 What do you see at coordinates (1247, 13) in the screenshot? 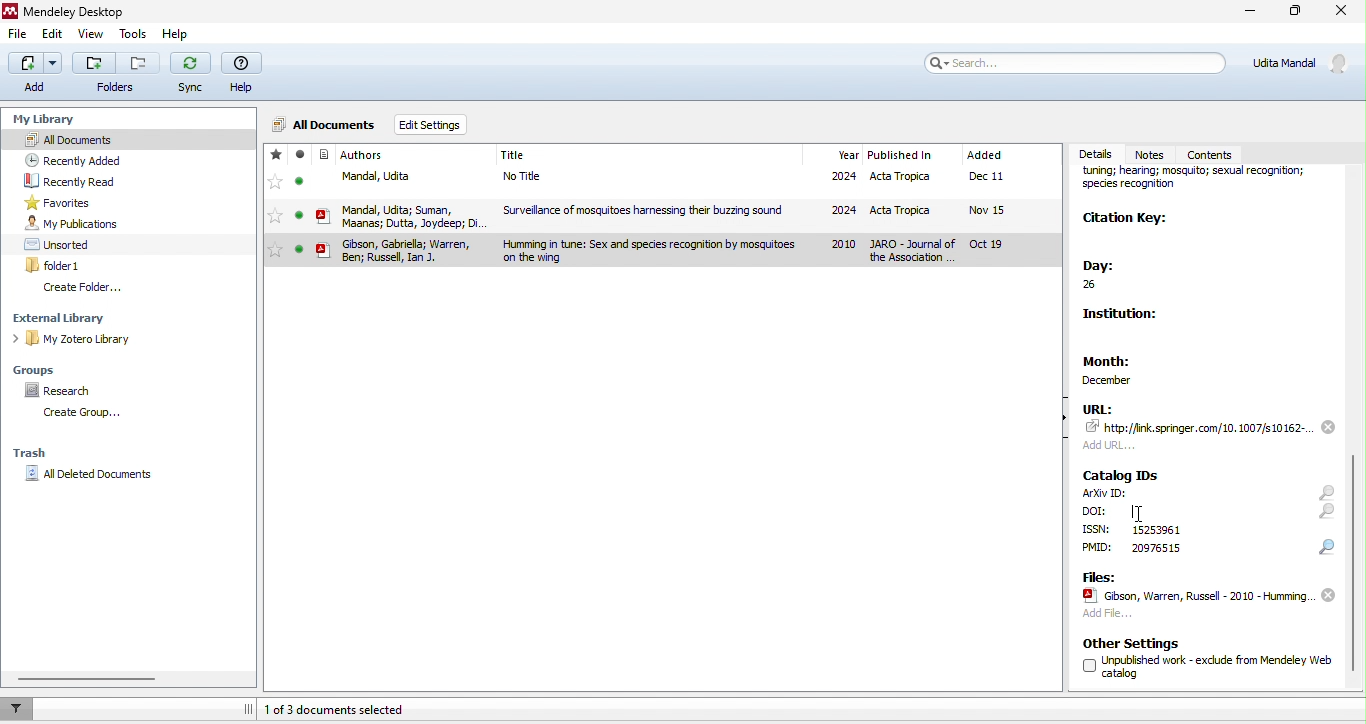
I see `minimize` at bounding box center [1247, 13].